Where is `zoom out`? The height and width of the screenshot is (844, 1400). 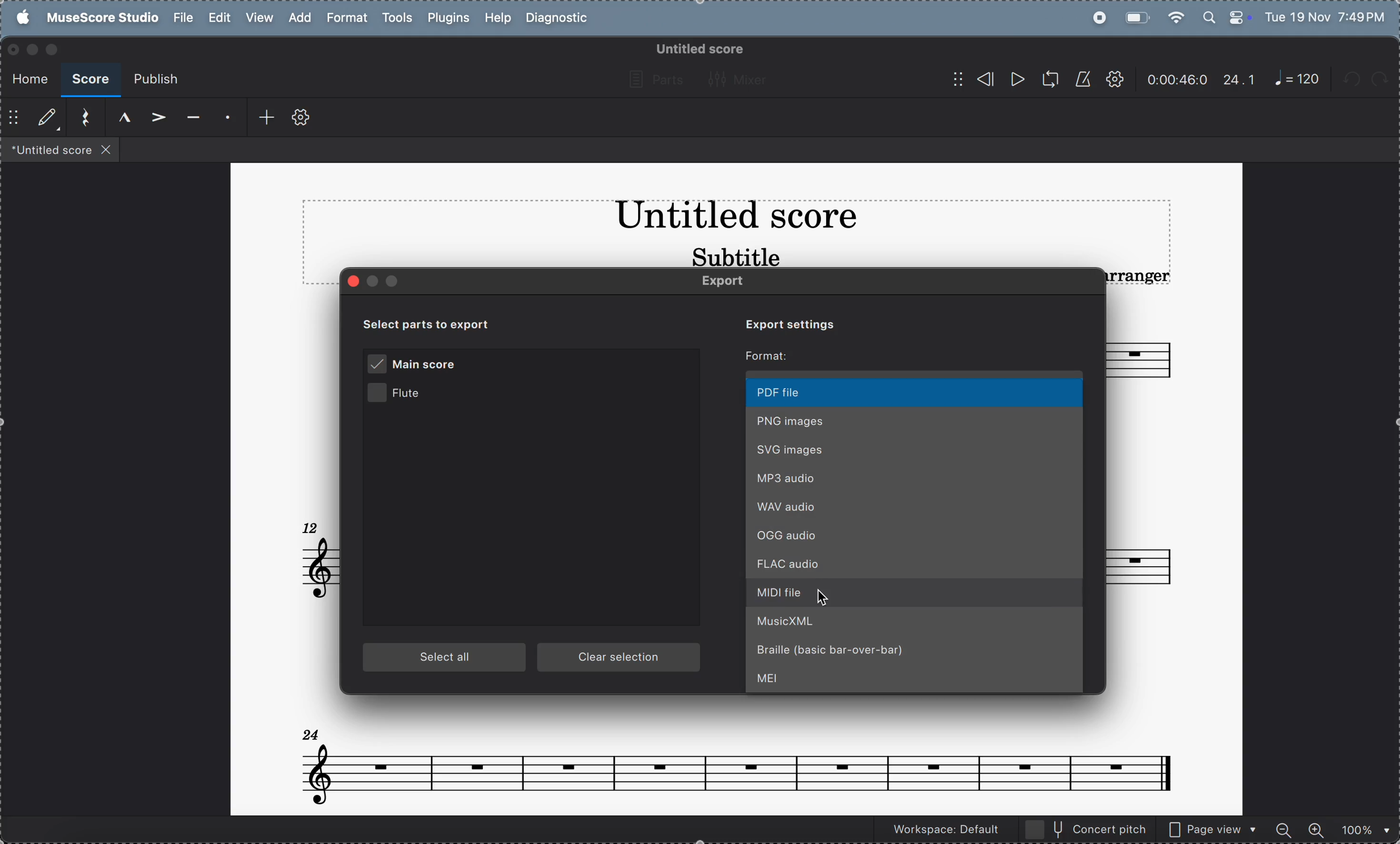
zoom out is located at coordinates (1285, 828).